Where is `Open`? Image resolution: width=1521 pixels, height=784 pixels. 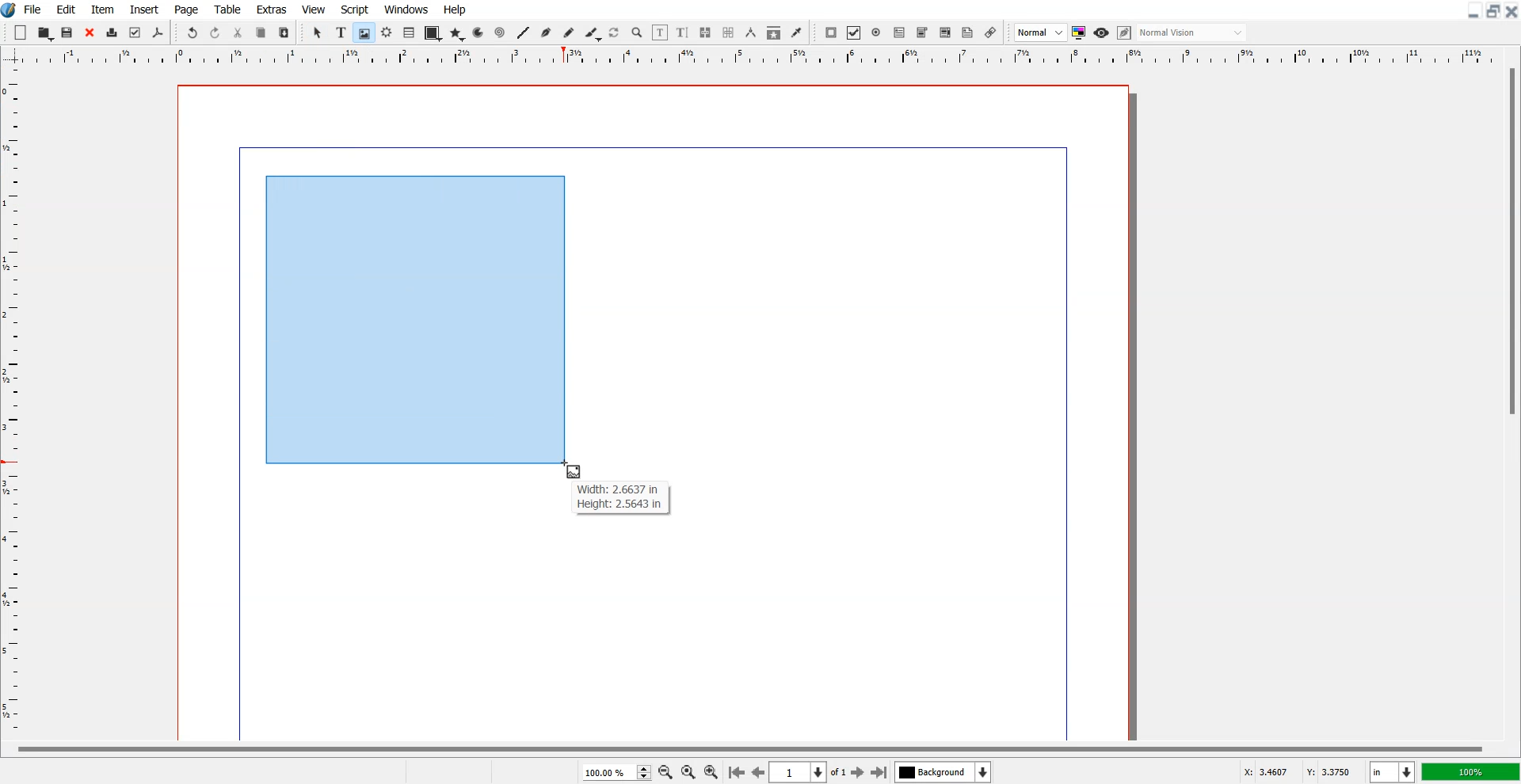 Open is located at coordinates (45, 32).